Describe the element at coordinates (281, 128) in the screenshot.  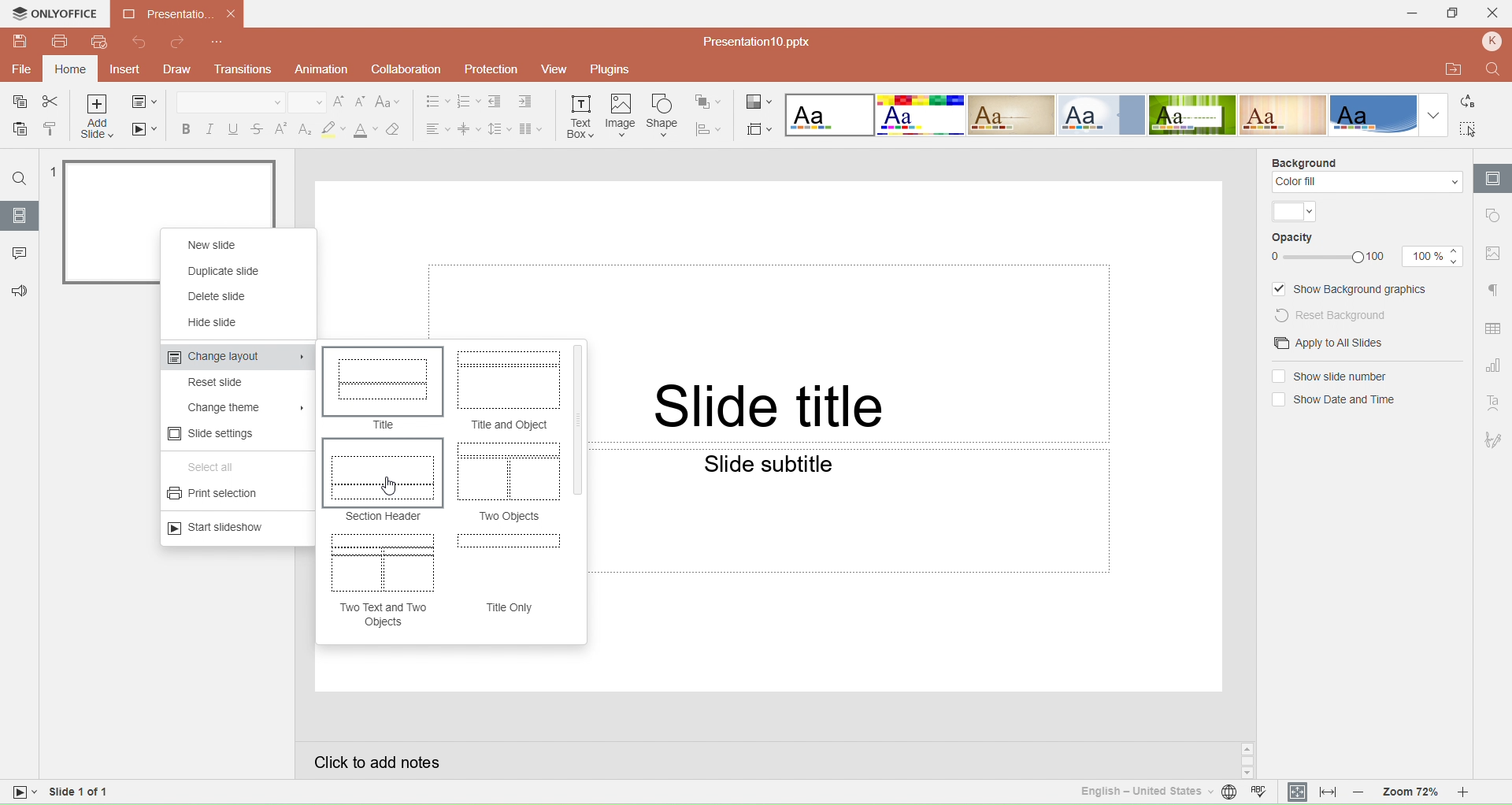
I see `Superscript` at that location.